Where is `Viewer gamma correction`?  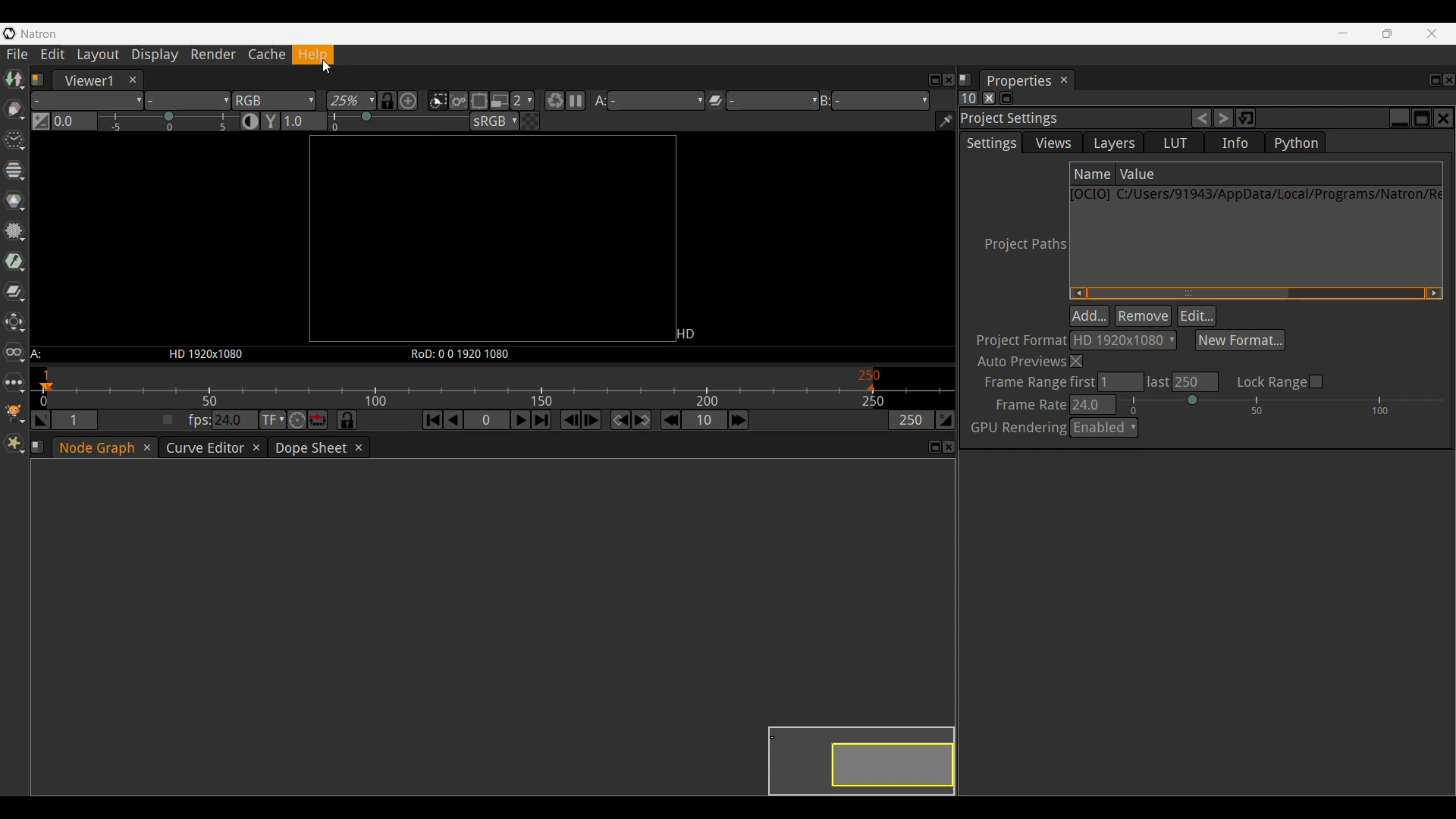
Viewer gamma correction is located at coordinates (270, 121).